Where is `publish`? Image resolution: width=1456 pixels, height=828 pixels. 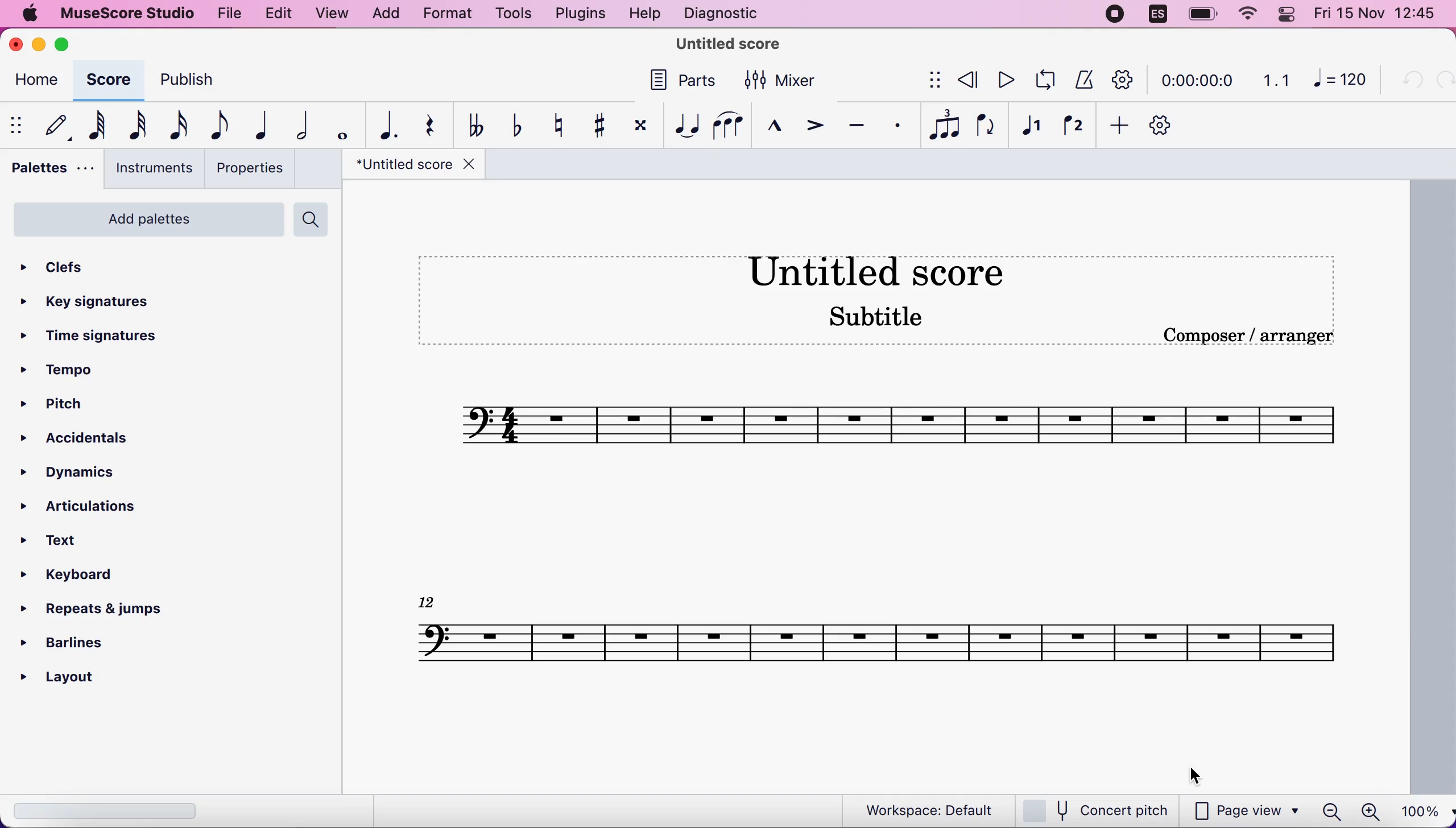 publish is located at coordinates (184, 79).